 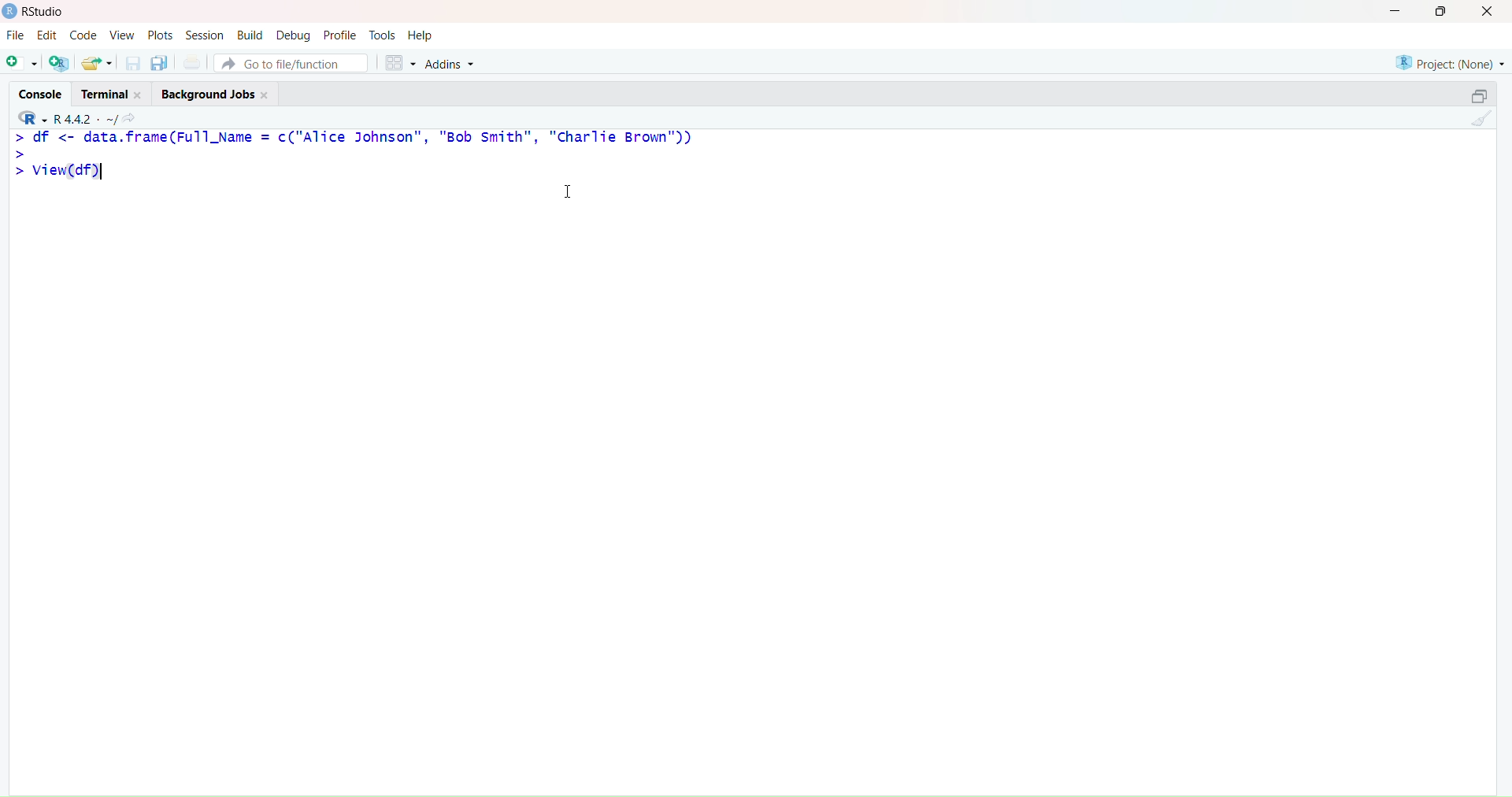 I want to click on Session, so click(x=205, y=35).